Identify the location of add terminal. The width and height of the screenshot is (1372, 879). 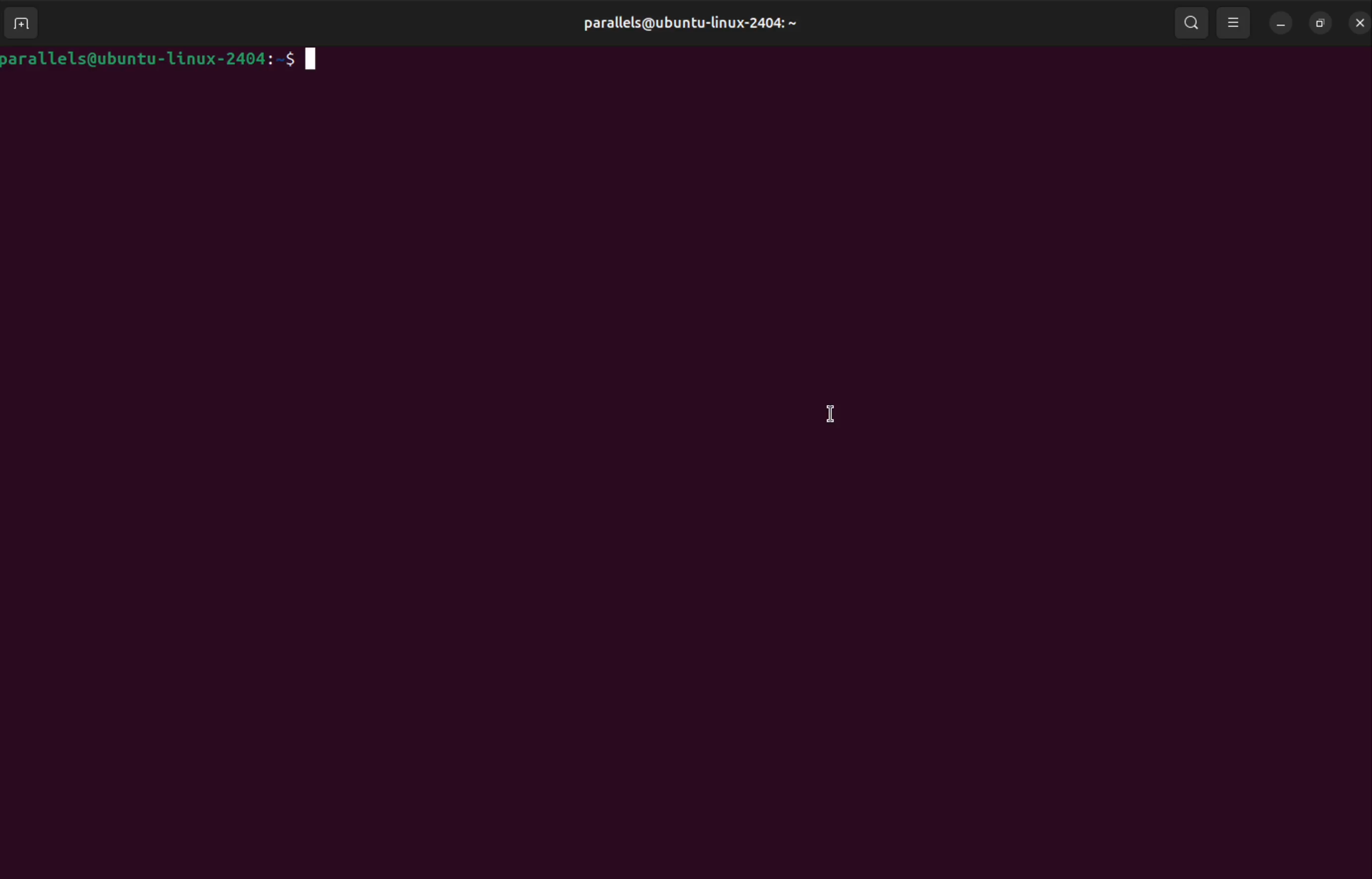
(23, 25).